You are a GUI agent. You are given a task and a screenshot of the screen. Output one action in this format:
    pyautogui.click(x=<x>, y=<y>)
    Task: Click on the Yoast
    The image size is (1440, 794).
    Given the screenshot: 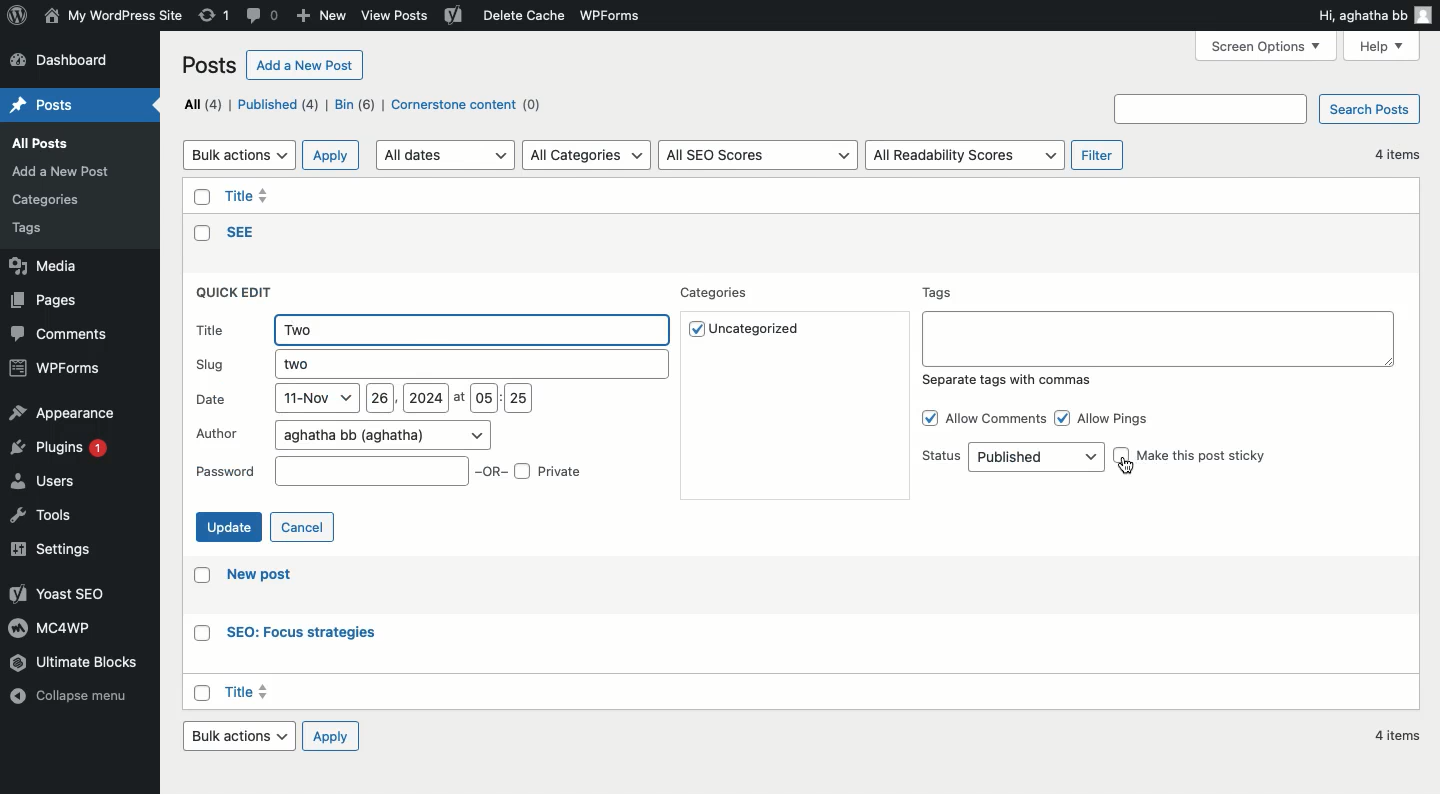 What is the action you would take?
    pyautogui.click(x=454, y=17)
    